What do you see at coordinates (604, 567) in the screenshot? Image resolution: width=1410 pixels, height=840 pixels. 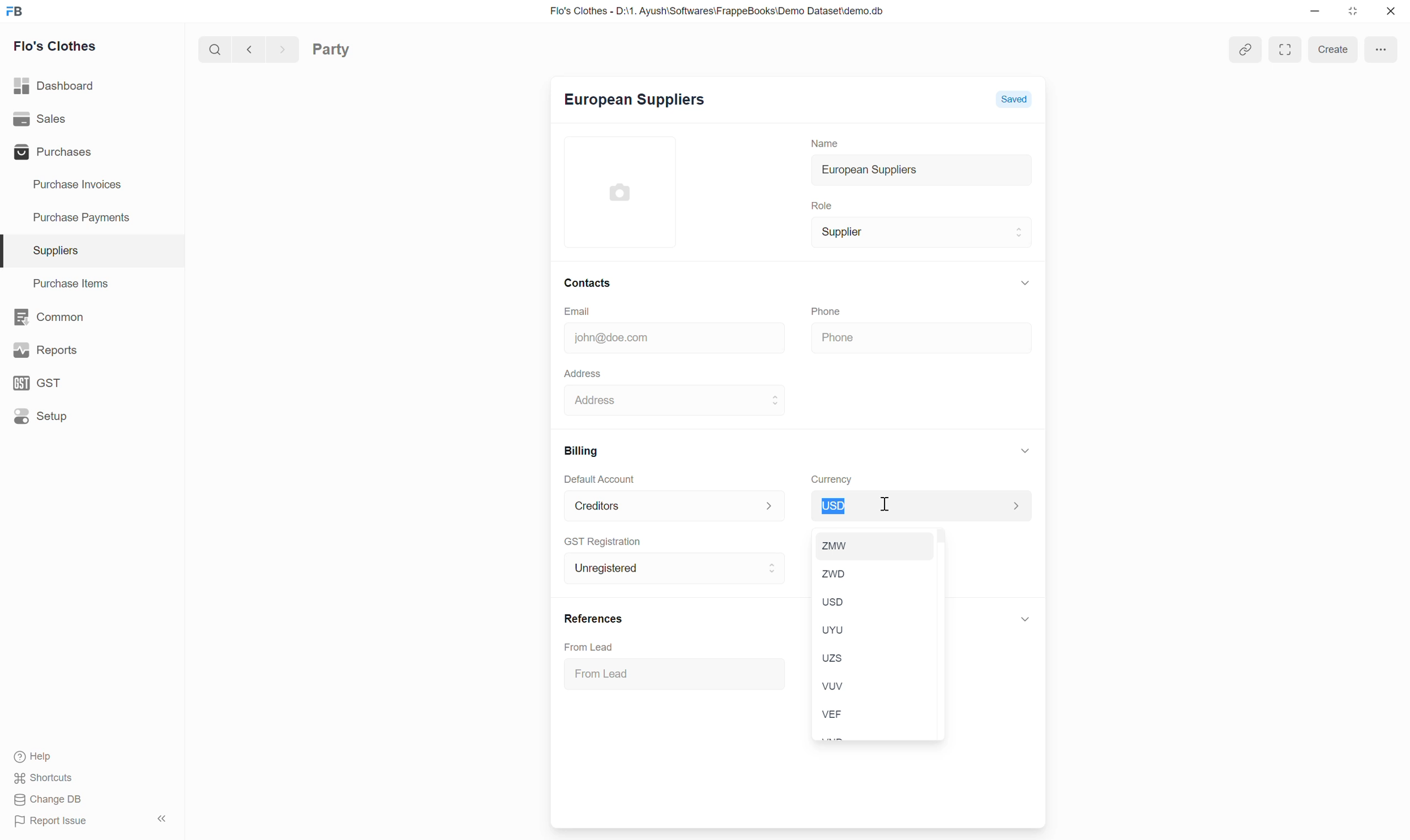 I see `Unregistered` at bounding box center [604, 567].